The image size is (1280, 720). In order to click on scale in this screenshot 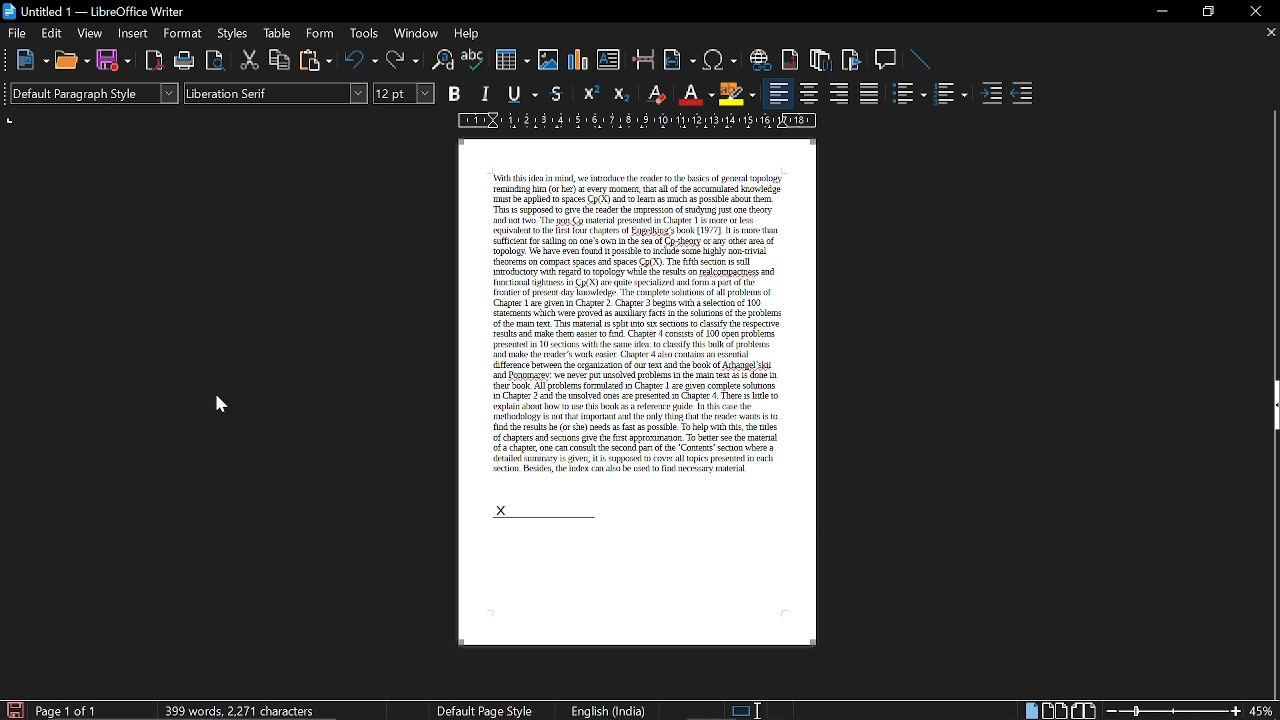, I will do `click(638, 121)`.